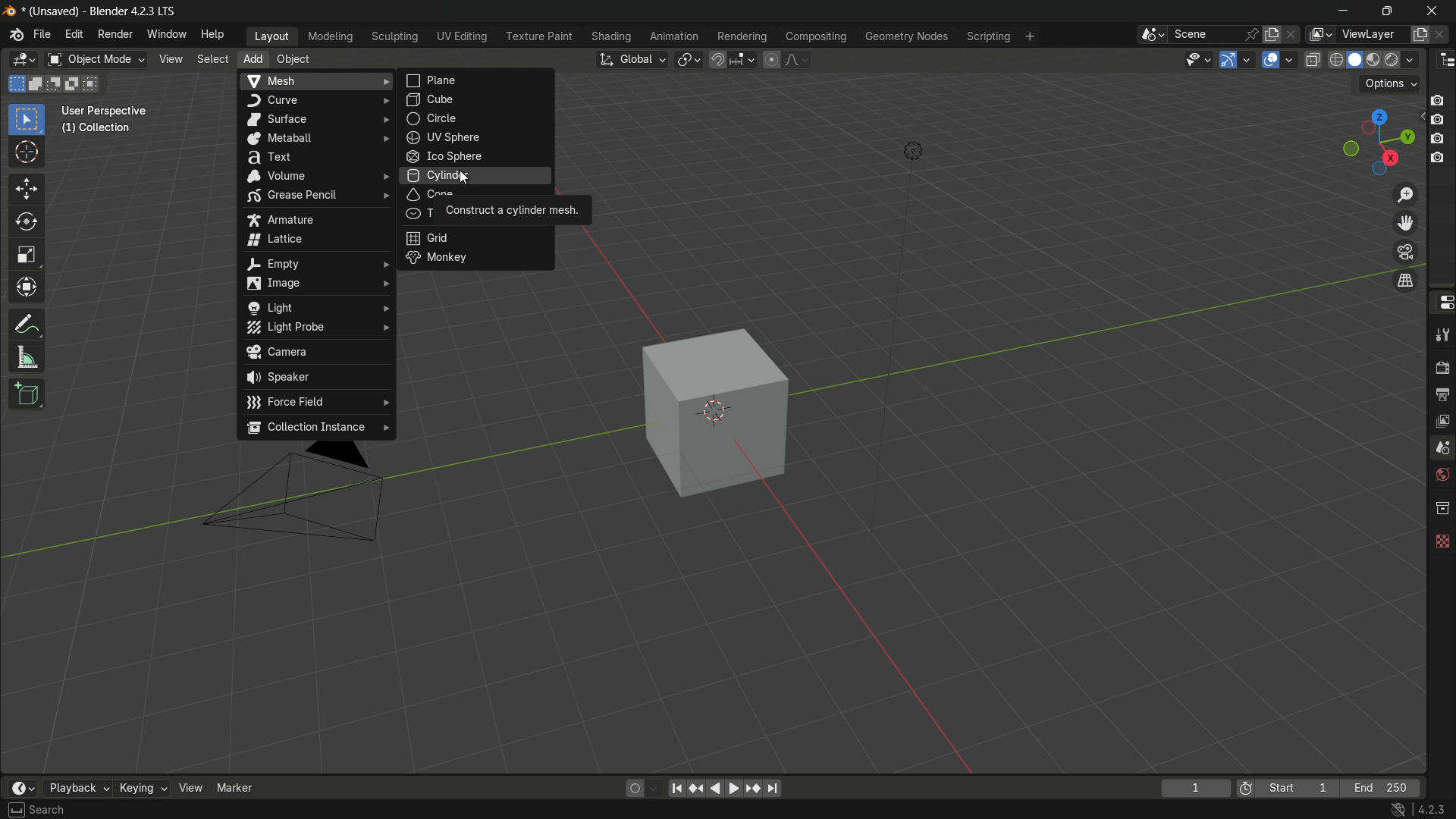  I want to click on mesh, so click(315, 81).